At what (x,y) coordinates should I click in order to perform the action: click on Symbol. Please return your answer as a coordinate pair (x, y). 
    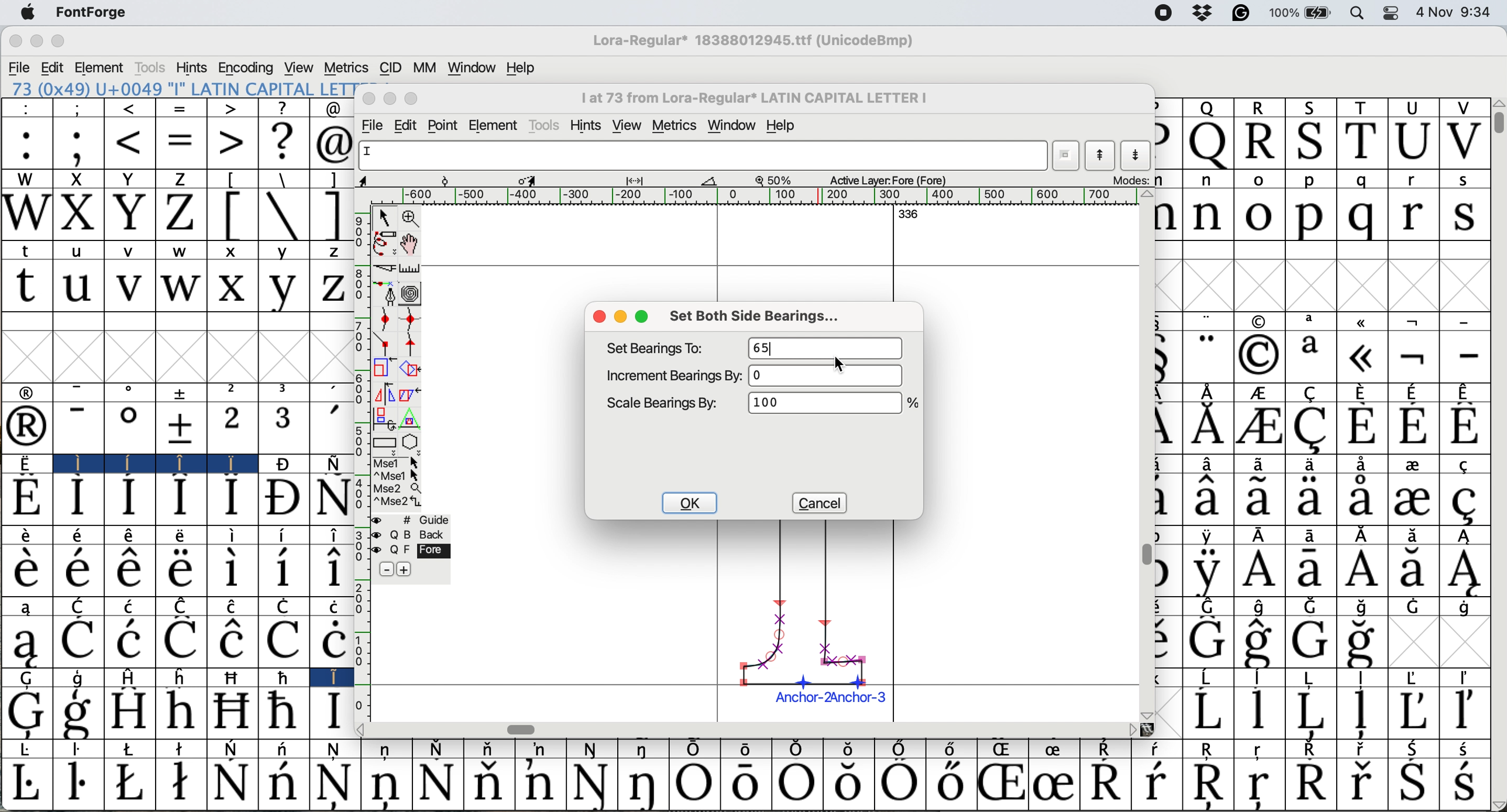
    Looking at the image, I should click on (1264, 642).